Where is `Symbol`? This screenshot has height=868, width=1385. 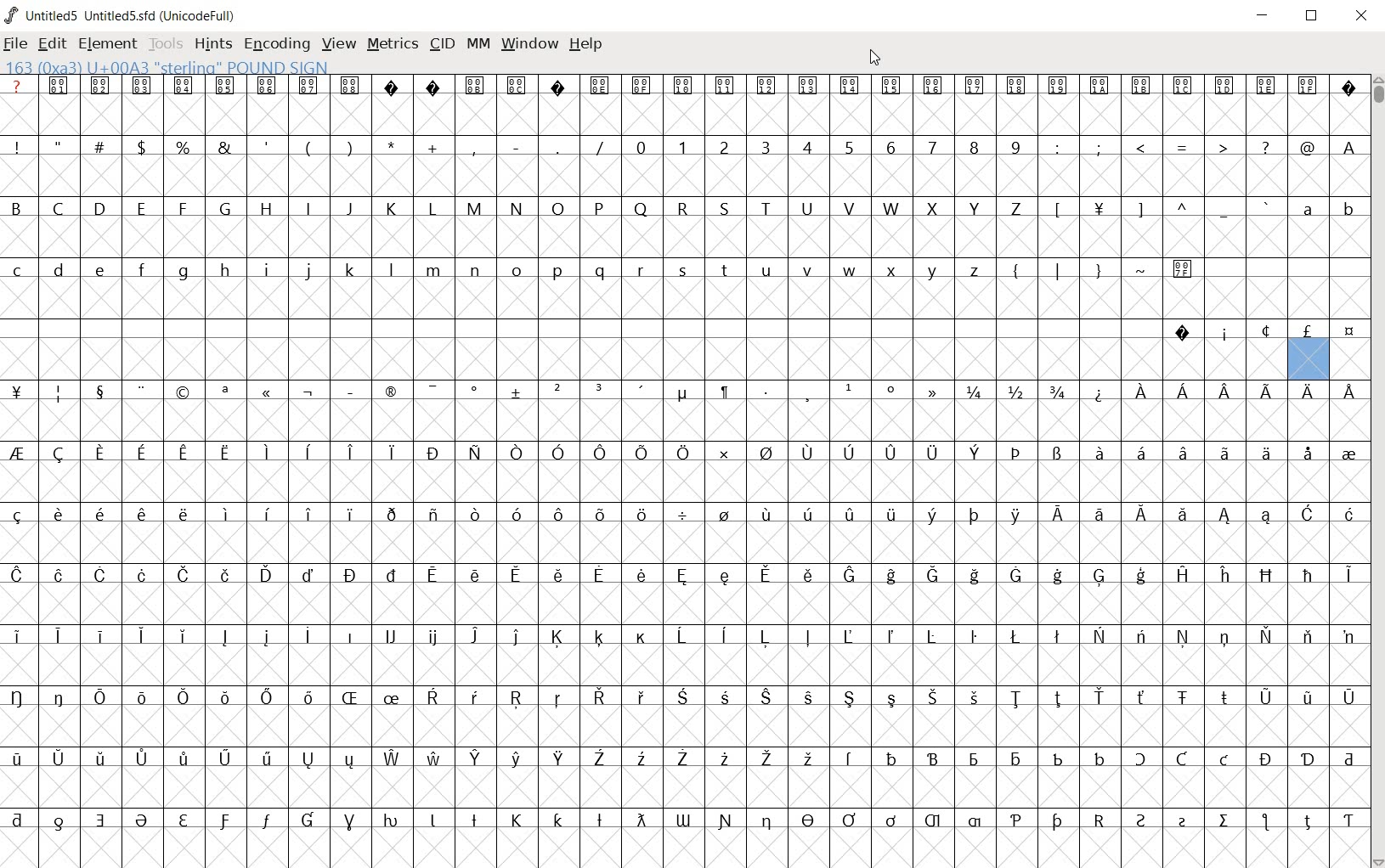 Symbol is located at coordinates (473, 819).